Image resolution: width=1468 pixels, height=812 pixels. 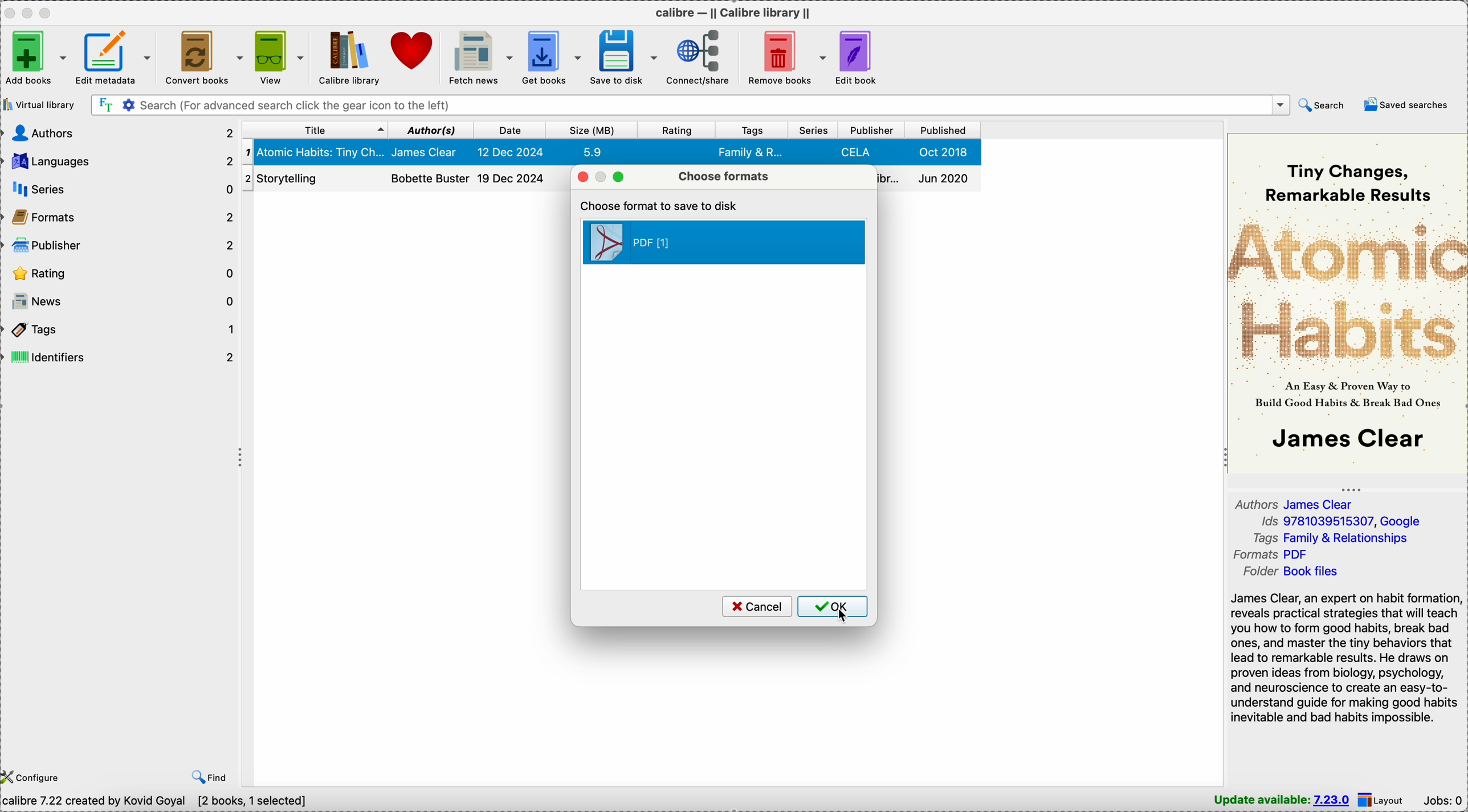 I want to click on published, so click(x=942, y=130).